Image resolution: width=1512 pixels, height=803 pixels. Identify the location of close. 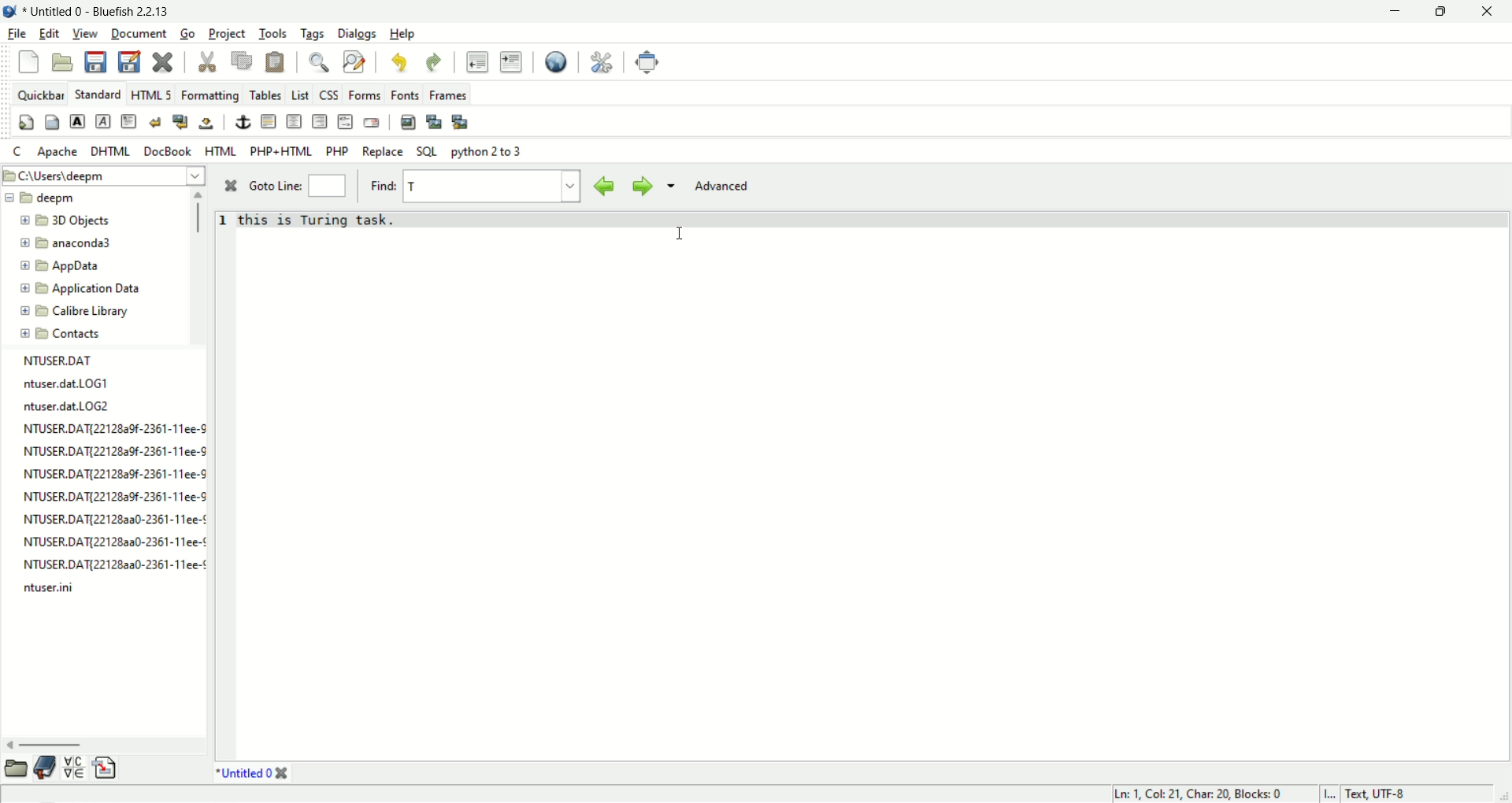
(165, 64).